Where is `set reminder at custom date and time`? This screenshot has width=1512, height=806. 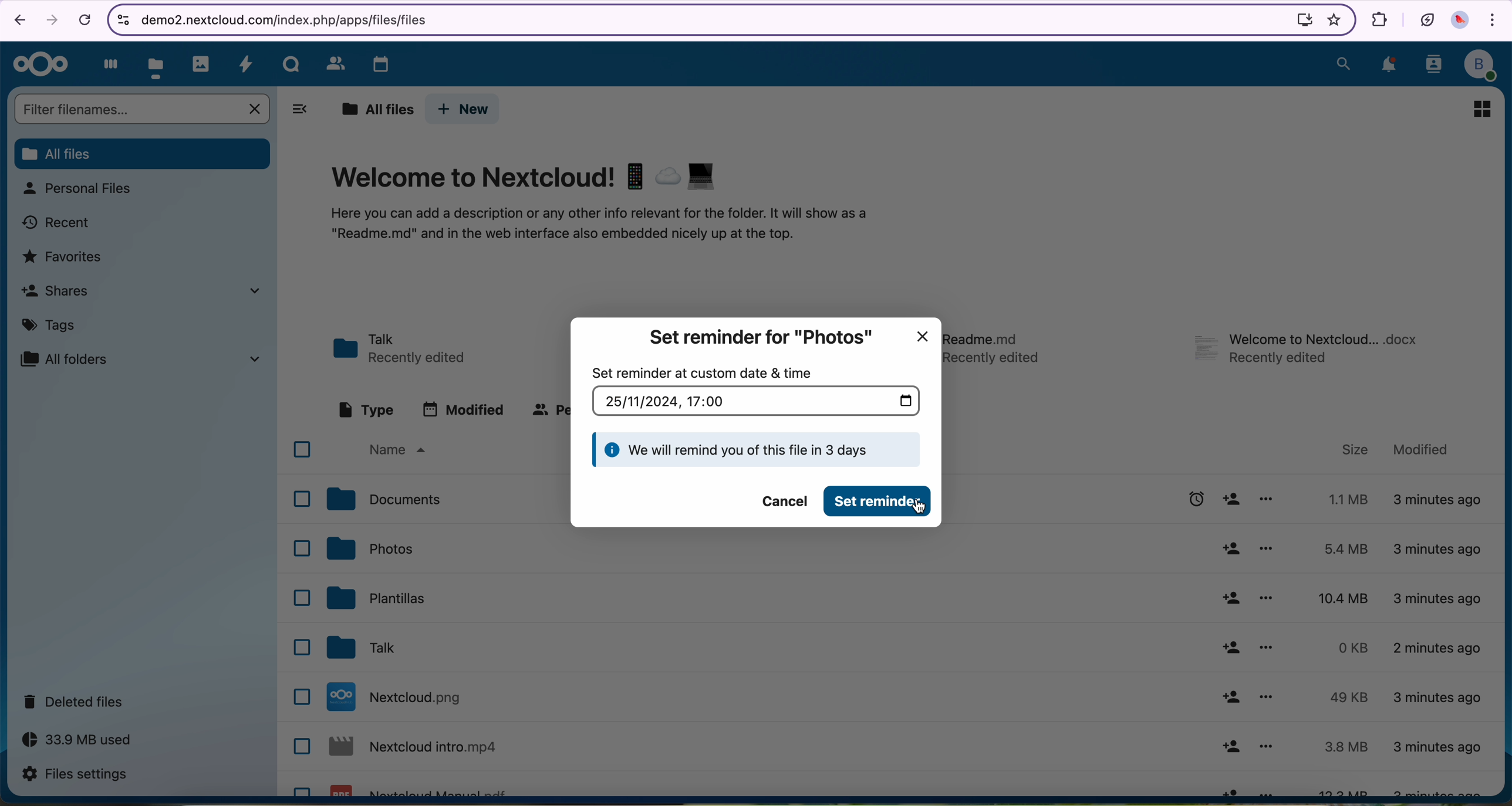
set reminder at custom date and time is located at coordinates (702, 372).